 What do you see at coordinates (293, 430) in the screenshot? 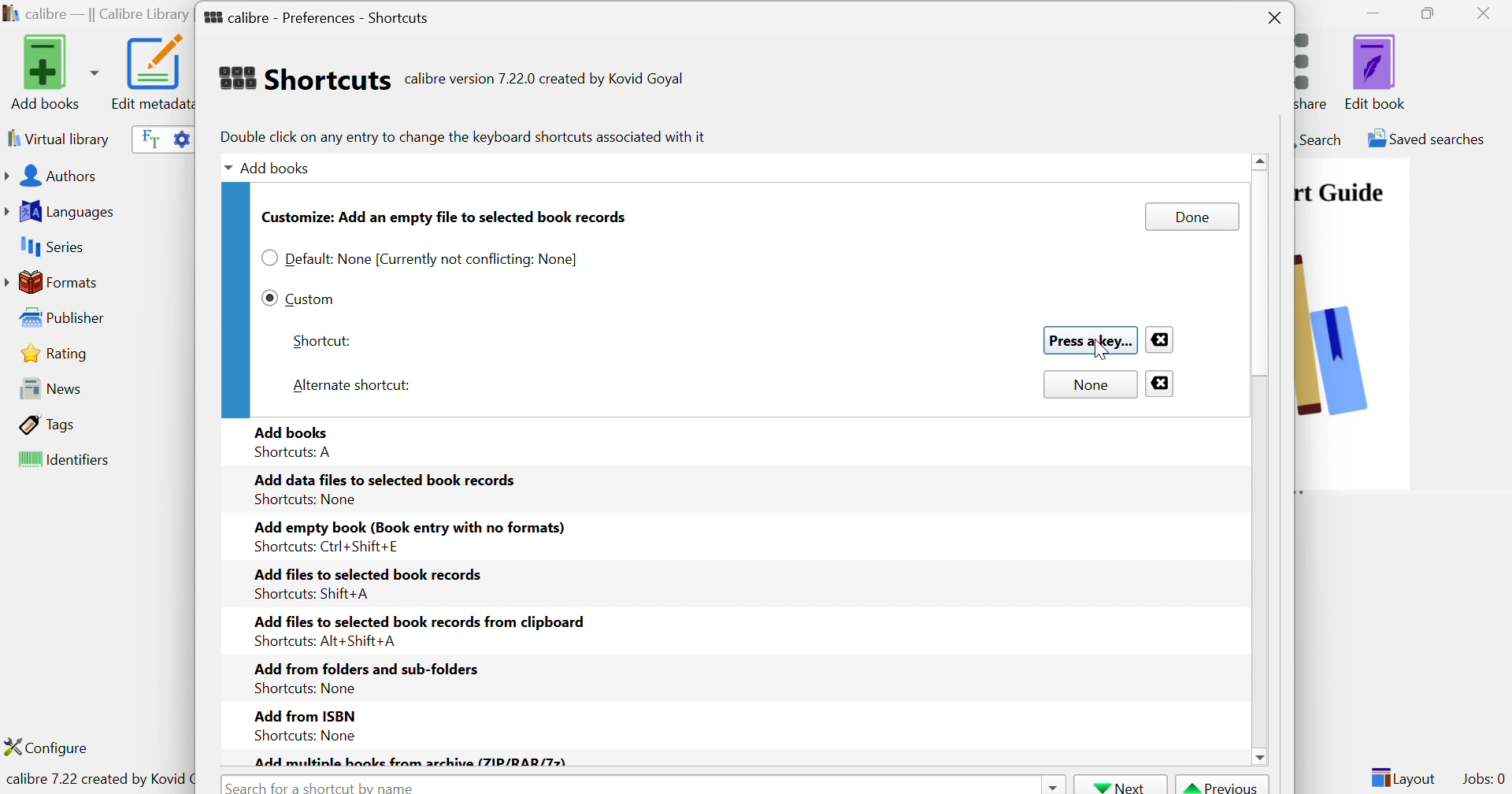
I see `Add books` at bounding box center [293, 430].